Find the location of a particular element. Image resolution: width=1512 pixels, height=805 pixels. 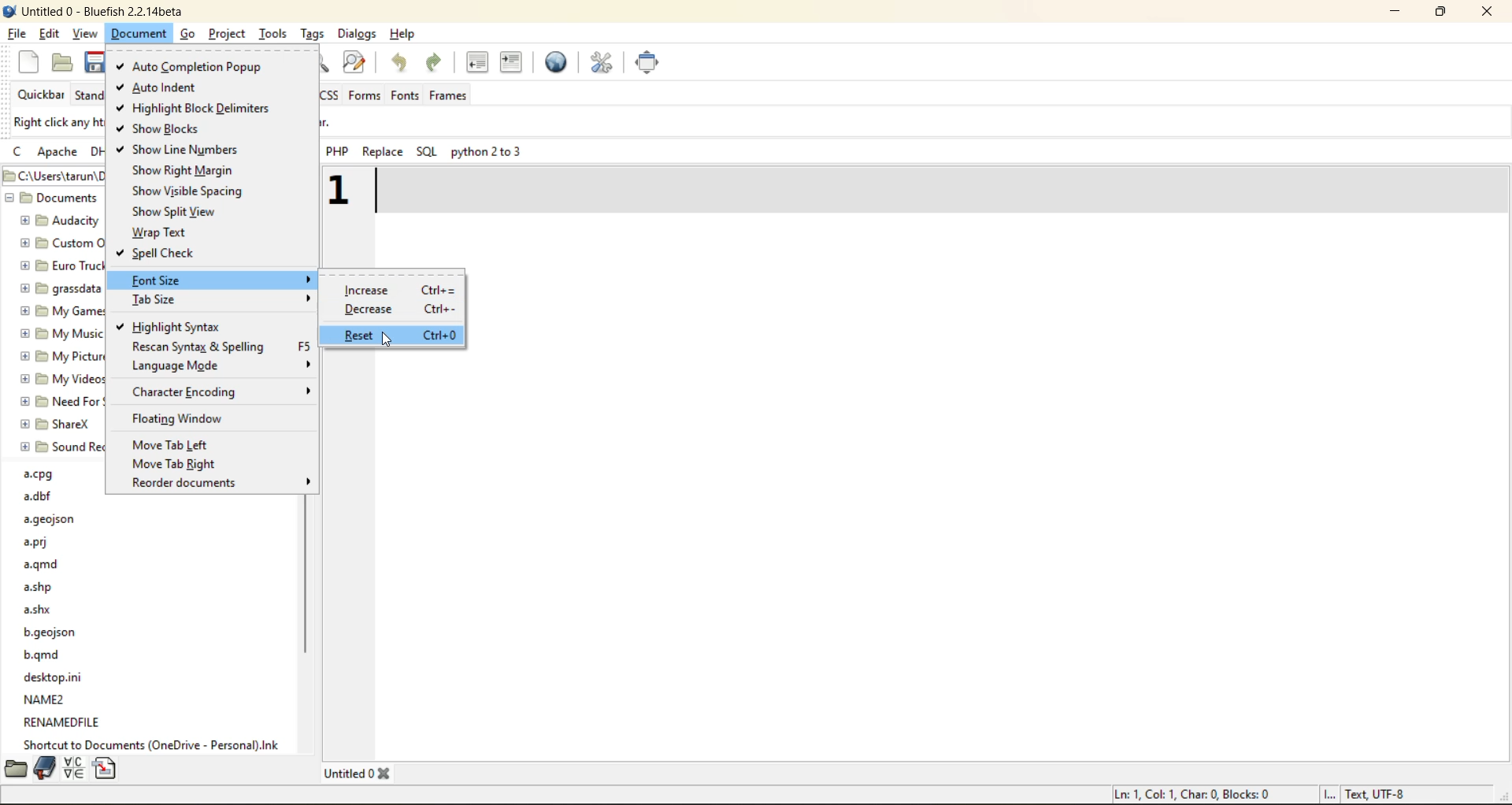

c is located at coordinates (20, 150).